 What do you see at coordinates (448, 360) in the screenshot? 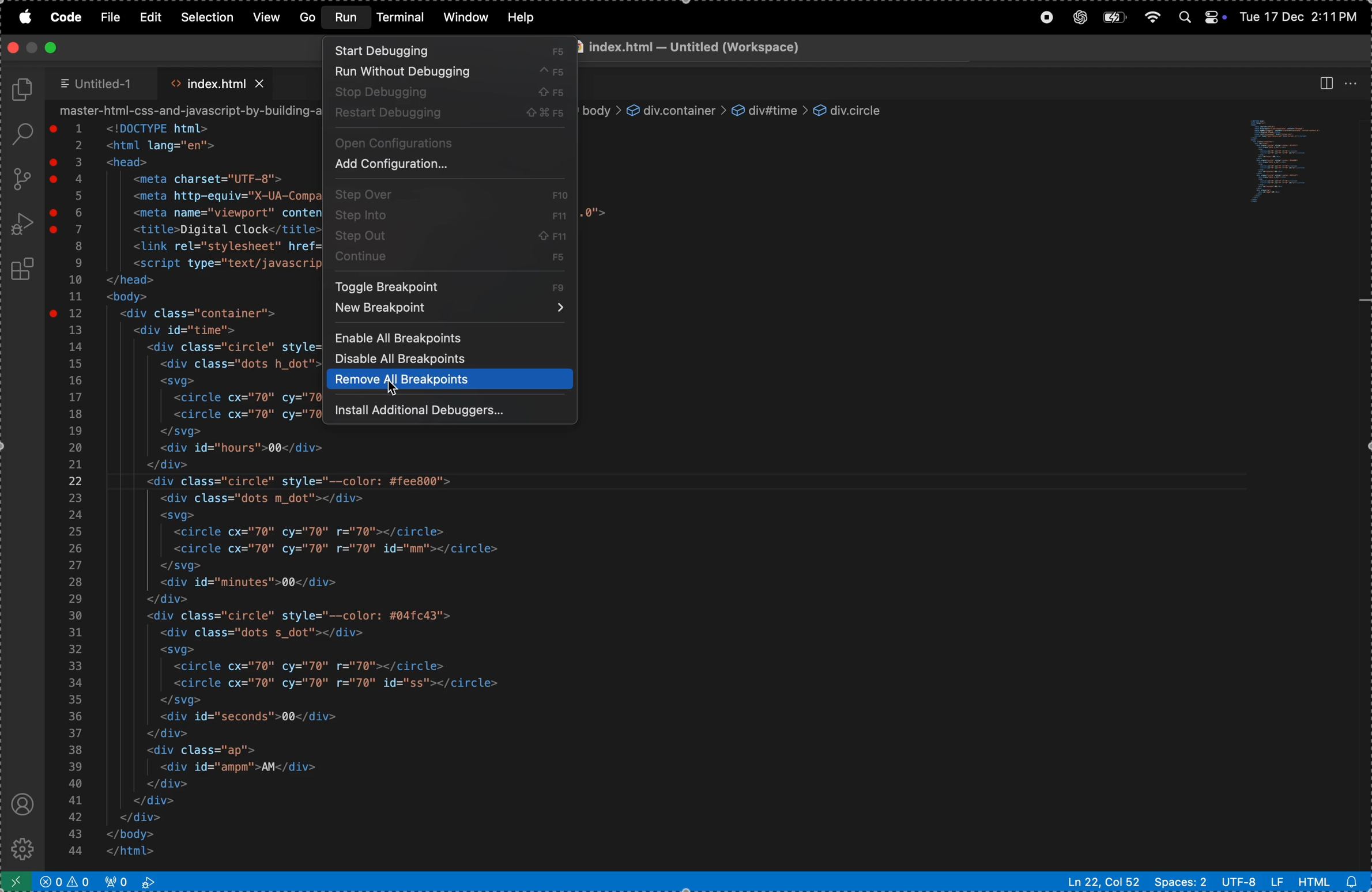
I see `disable all breaK points` at bounding box center [448, 360].